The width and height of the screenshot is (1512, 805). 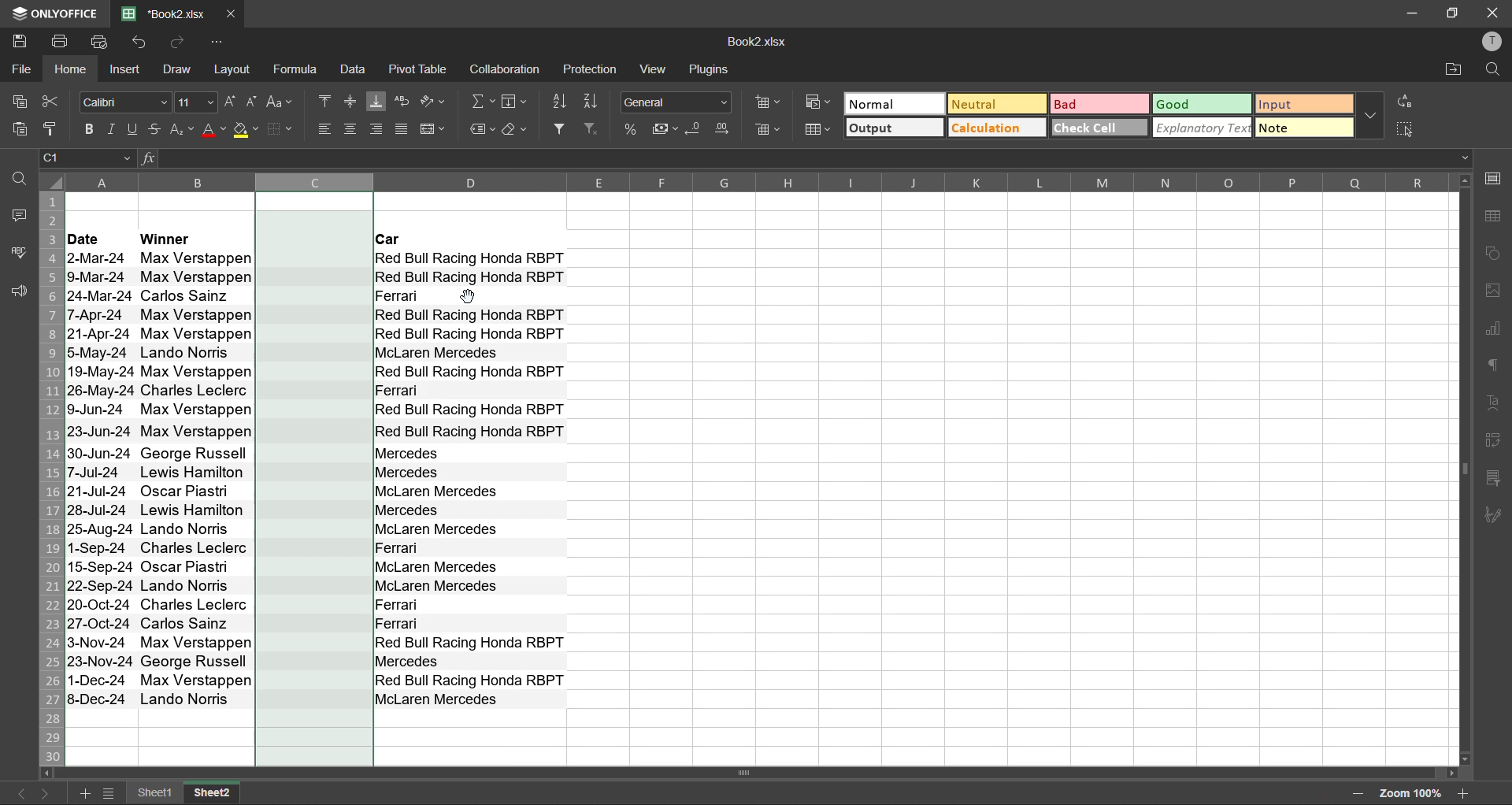 I want to click on column names, so click(x=758, y=182).